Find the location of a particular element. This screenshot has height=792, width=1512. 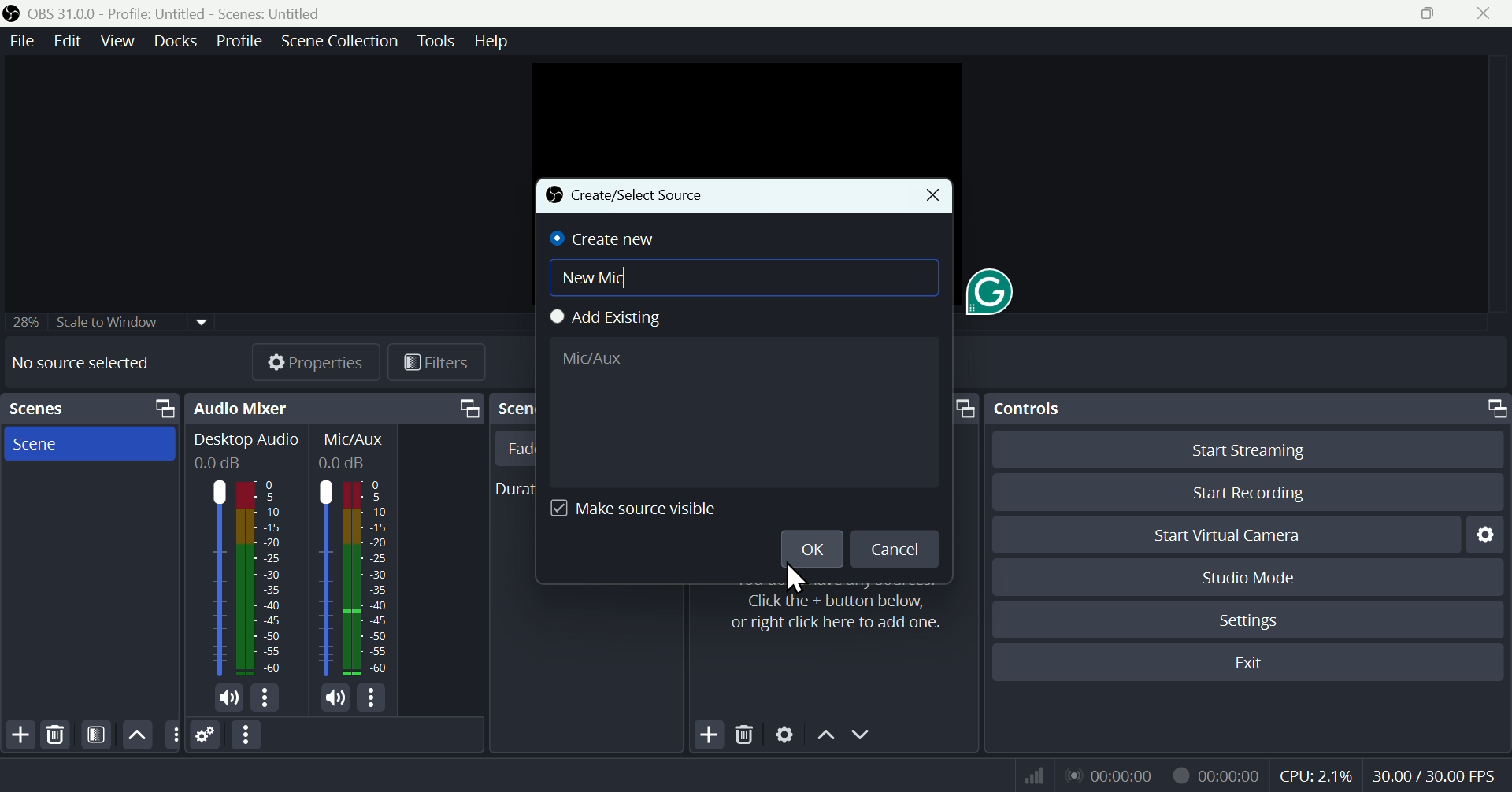

Scale to  is located at coordinates (103, 324).